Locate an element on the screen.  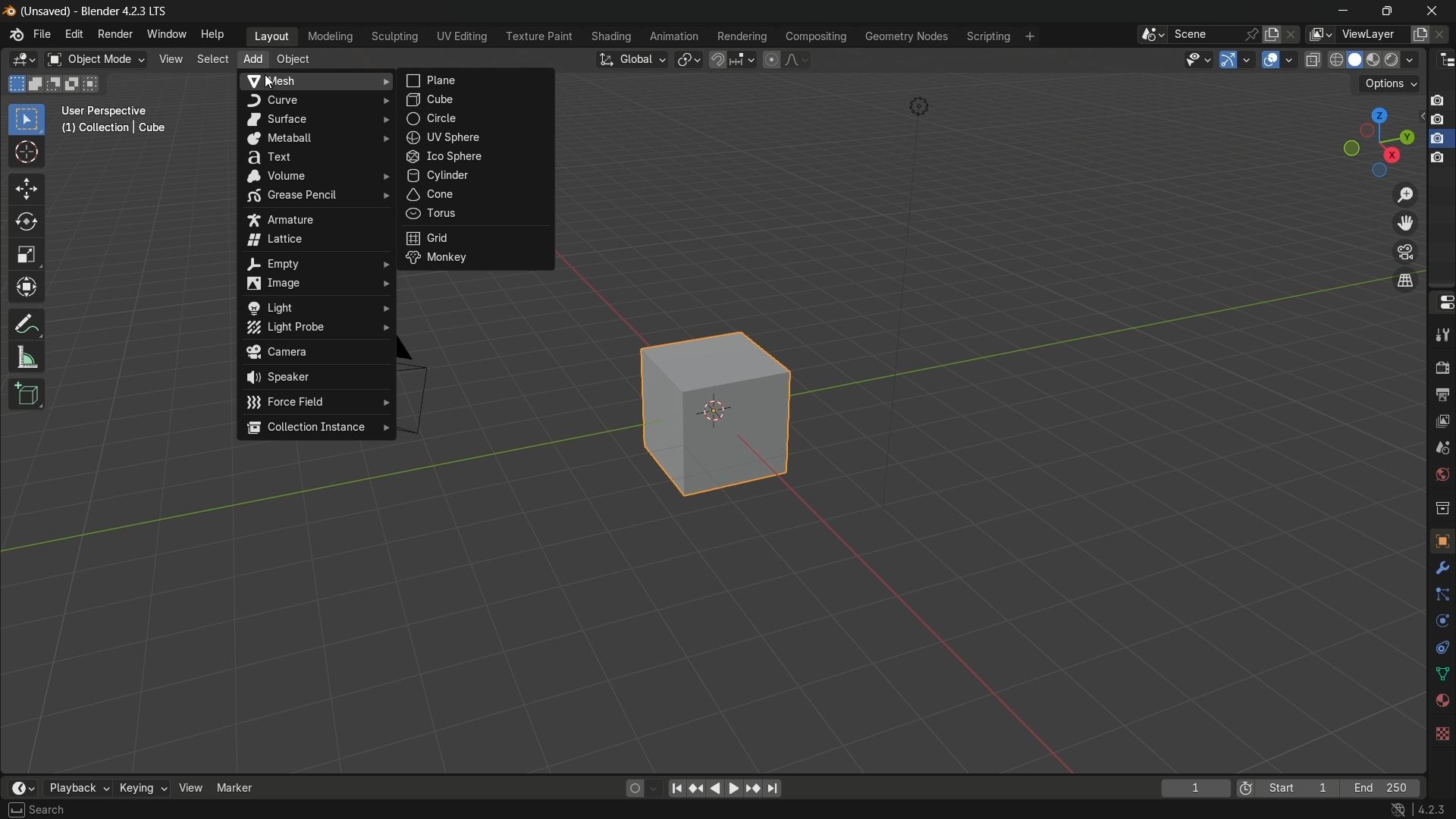
empty is located at coordinates (314, 263).